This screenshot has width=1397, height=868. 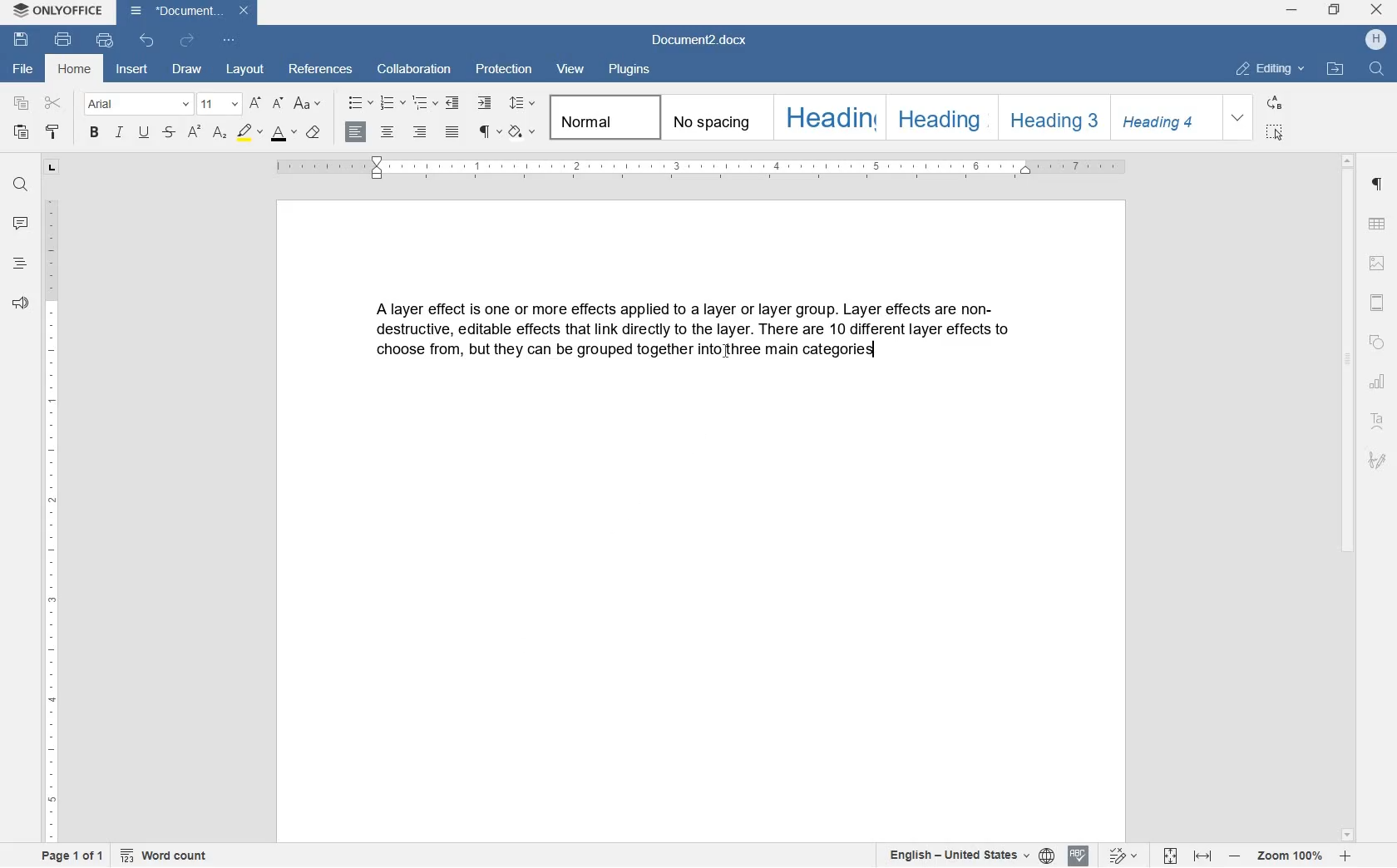 I want to click on heading , so click(x=18, y=264).